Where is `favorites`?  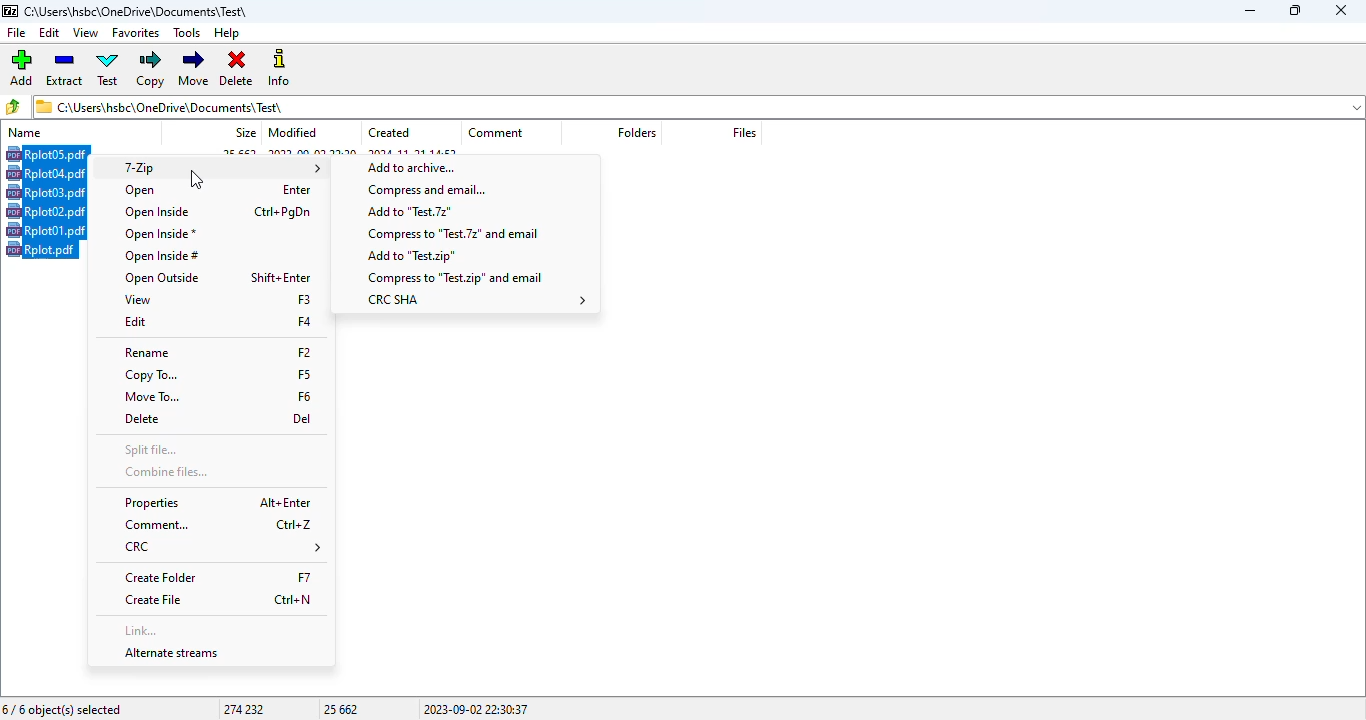 favorites is located at coordinates (136, 33).